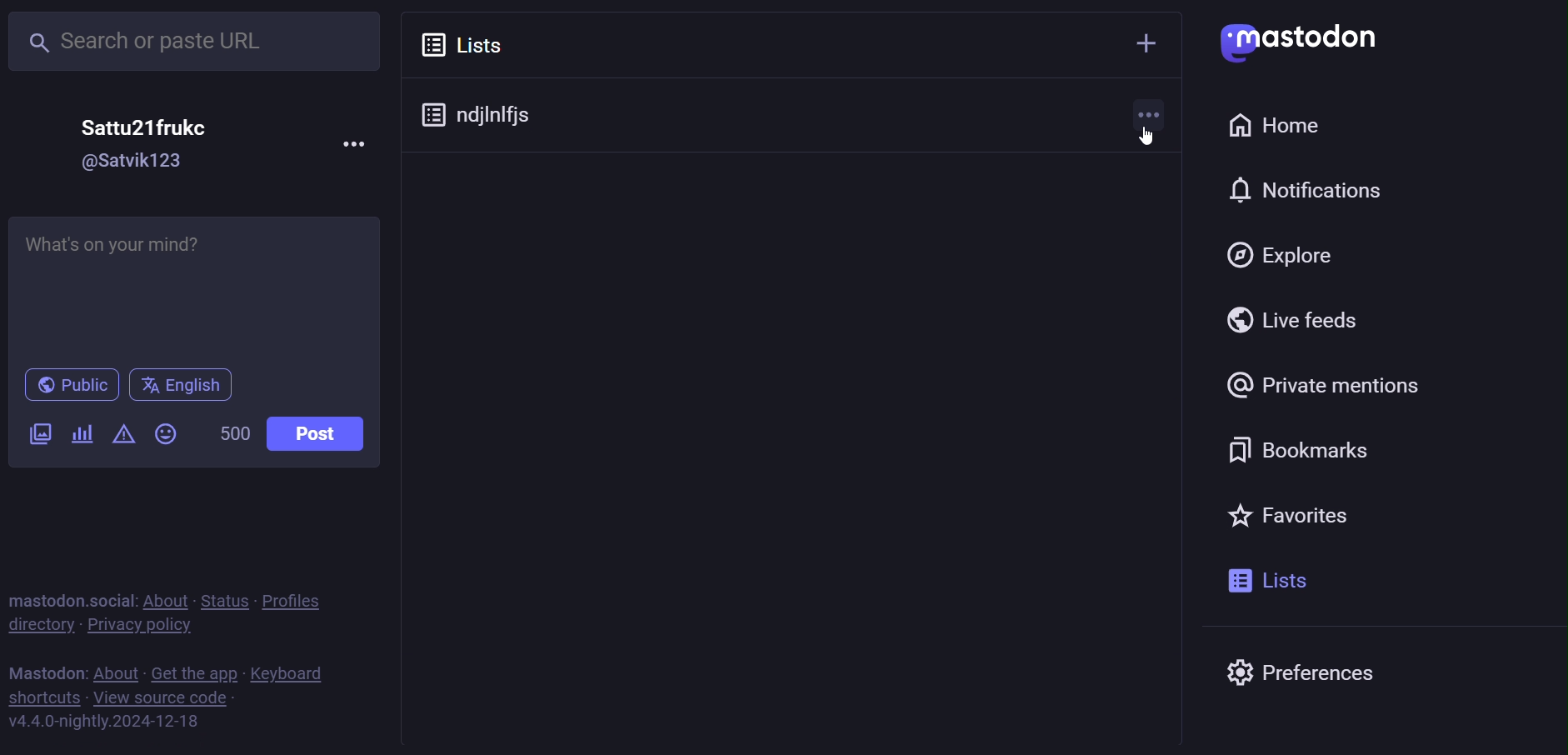  Describe the element at coordinates (69, 384) in the screenshot. I see `public` at that location.